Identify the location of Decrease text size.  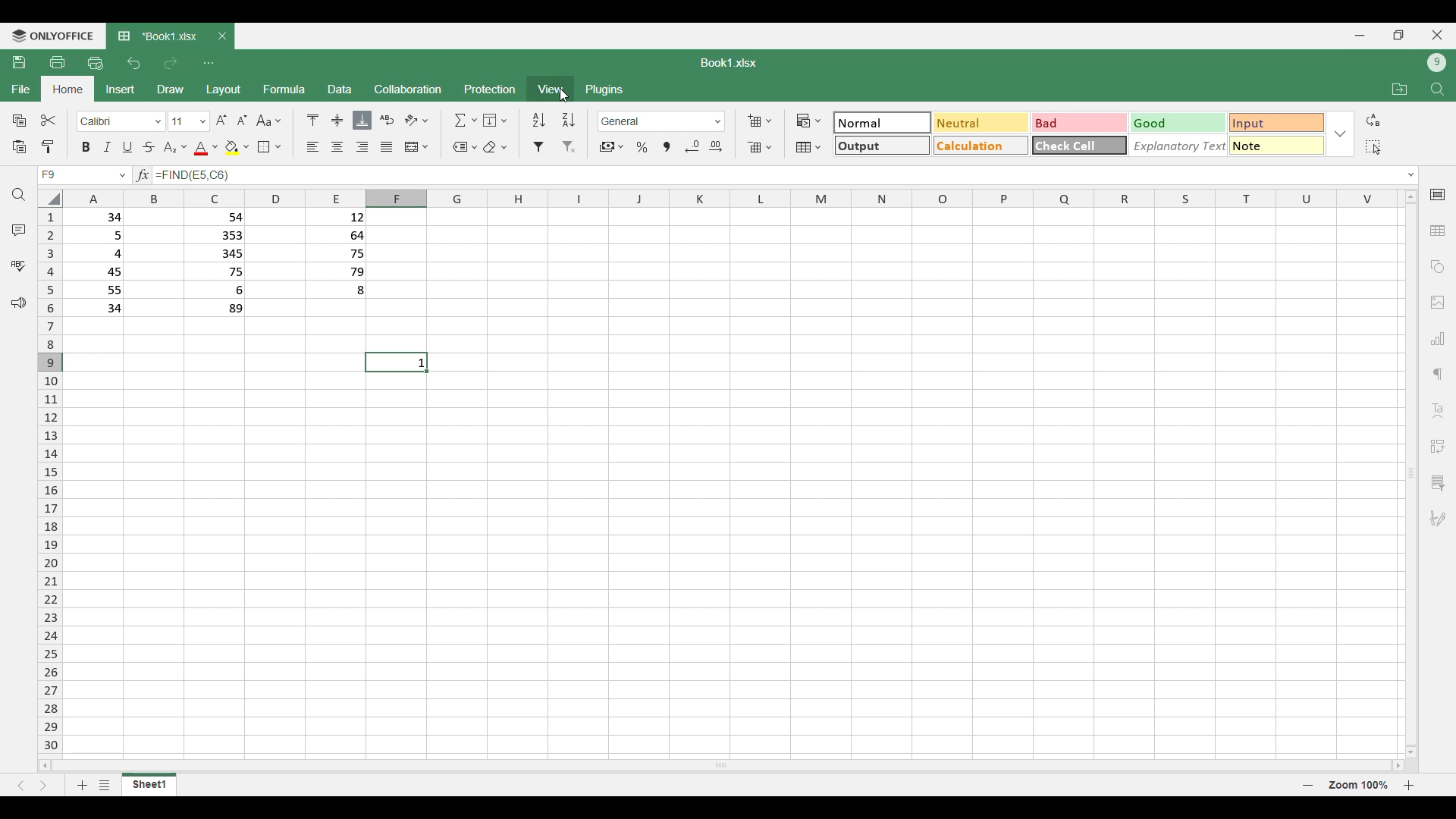
(241, 121).